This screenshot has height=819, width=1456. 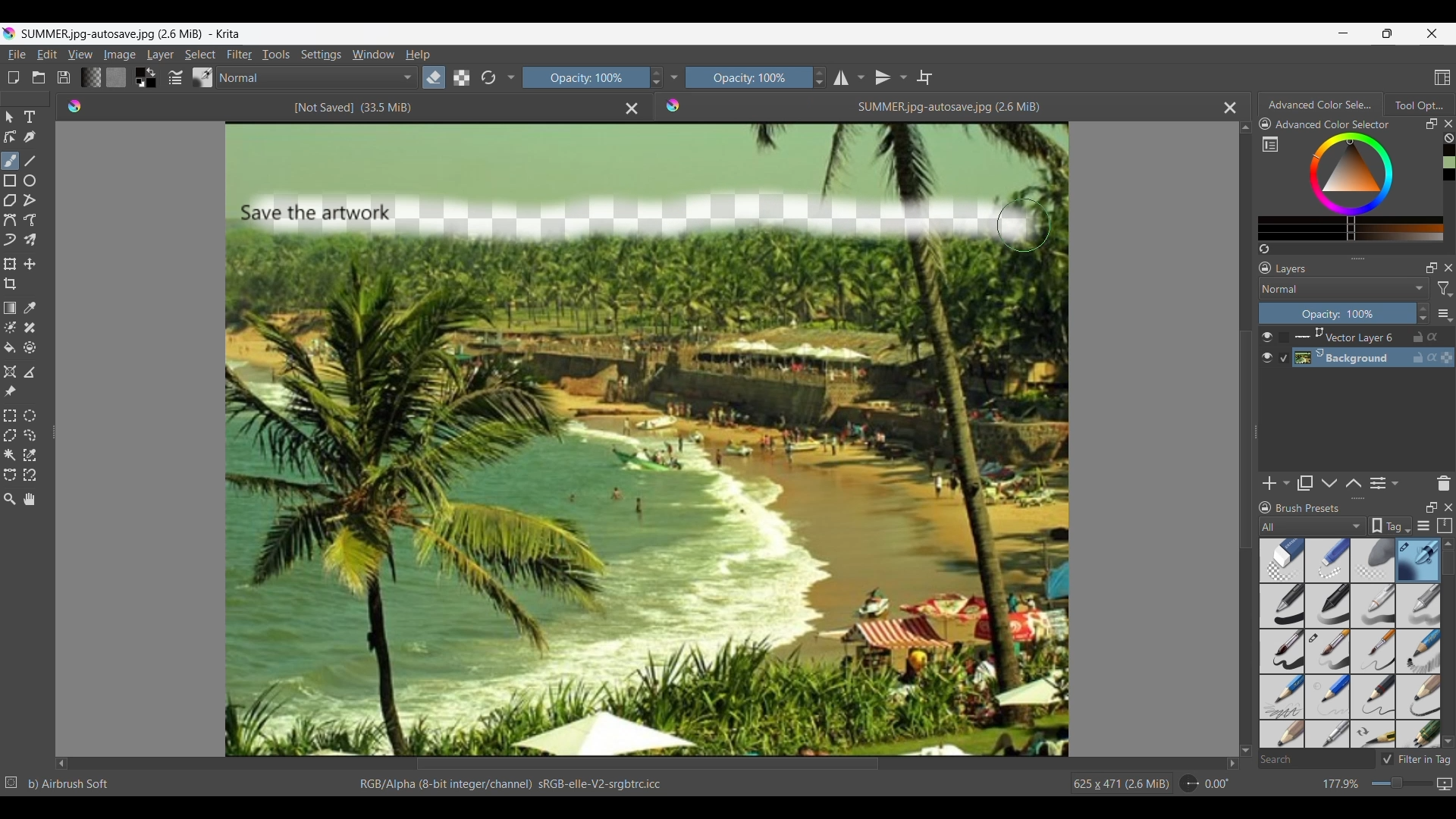 I want to click on Freehand brush tool, current selection, so click(x=11, y=161).